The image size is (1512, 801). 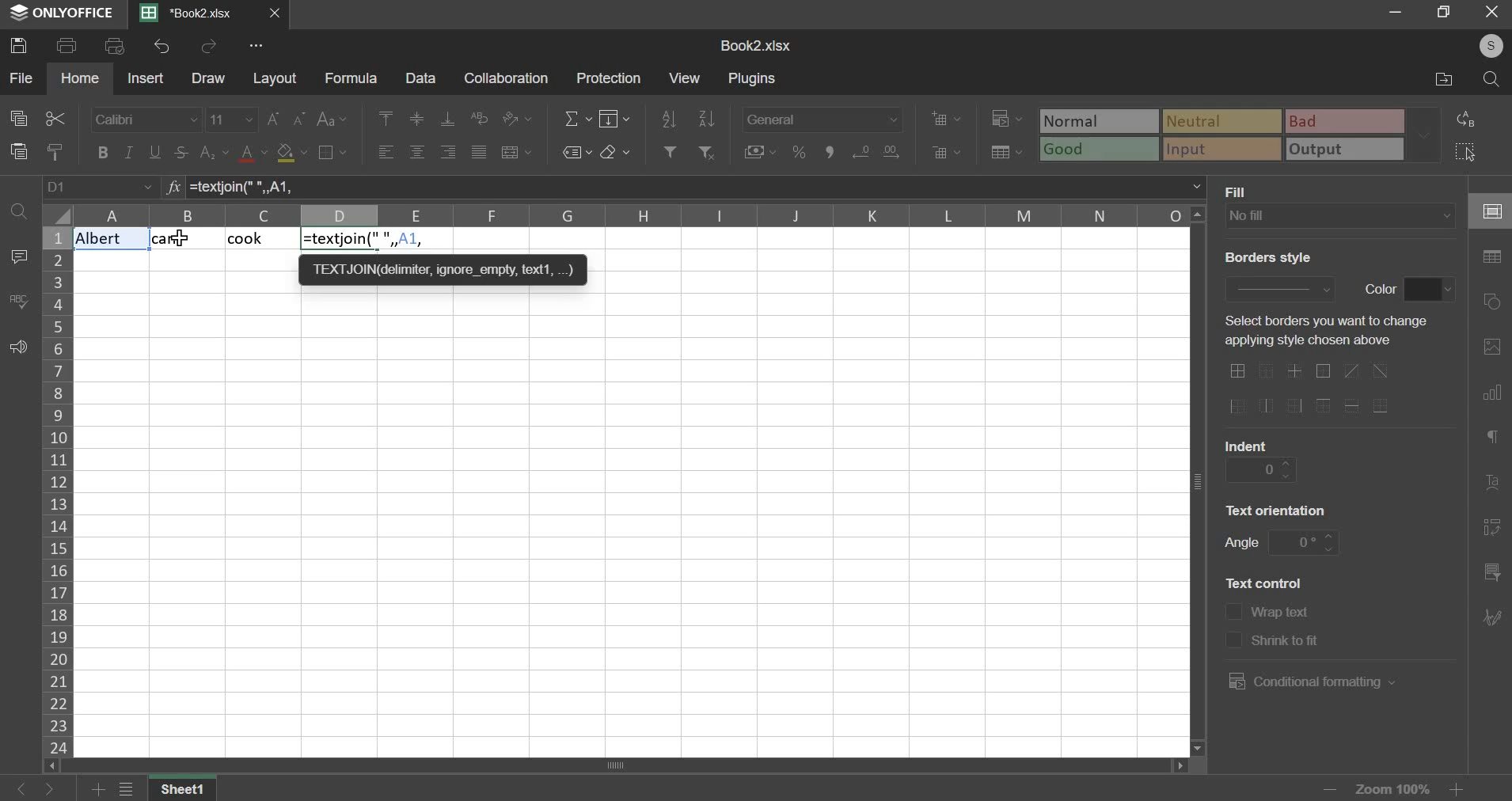 What do you see at coordinates (1491, 617) in the screenshot?
I see `signature` at bounding box center [1491, 617].